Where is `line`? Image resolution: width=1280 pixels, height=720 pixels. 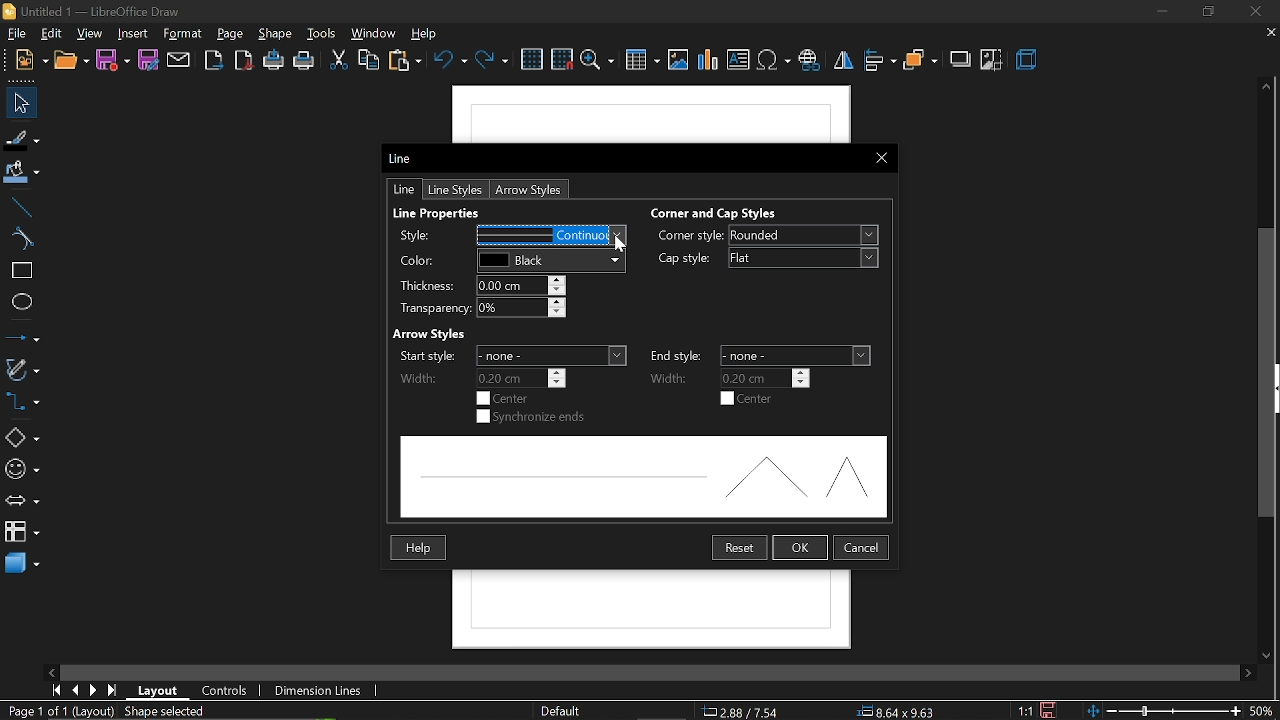
line is located at coordinates (24, 204).